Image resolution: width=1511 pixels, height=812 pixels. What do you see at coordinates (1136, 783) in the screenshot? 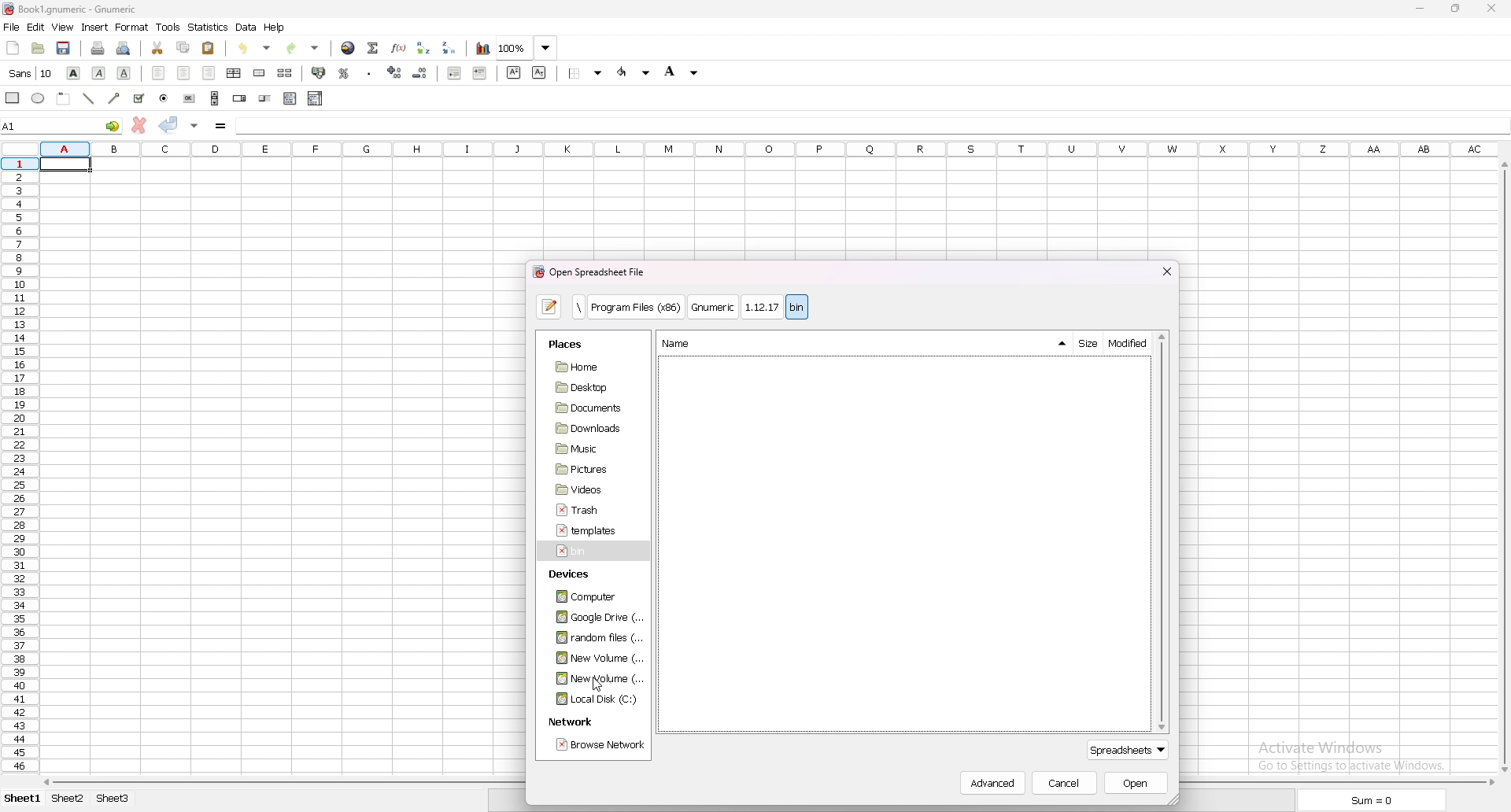
I see `open` at bounding box center [1136, 783].